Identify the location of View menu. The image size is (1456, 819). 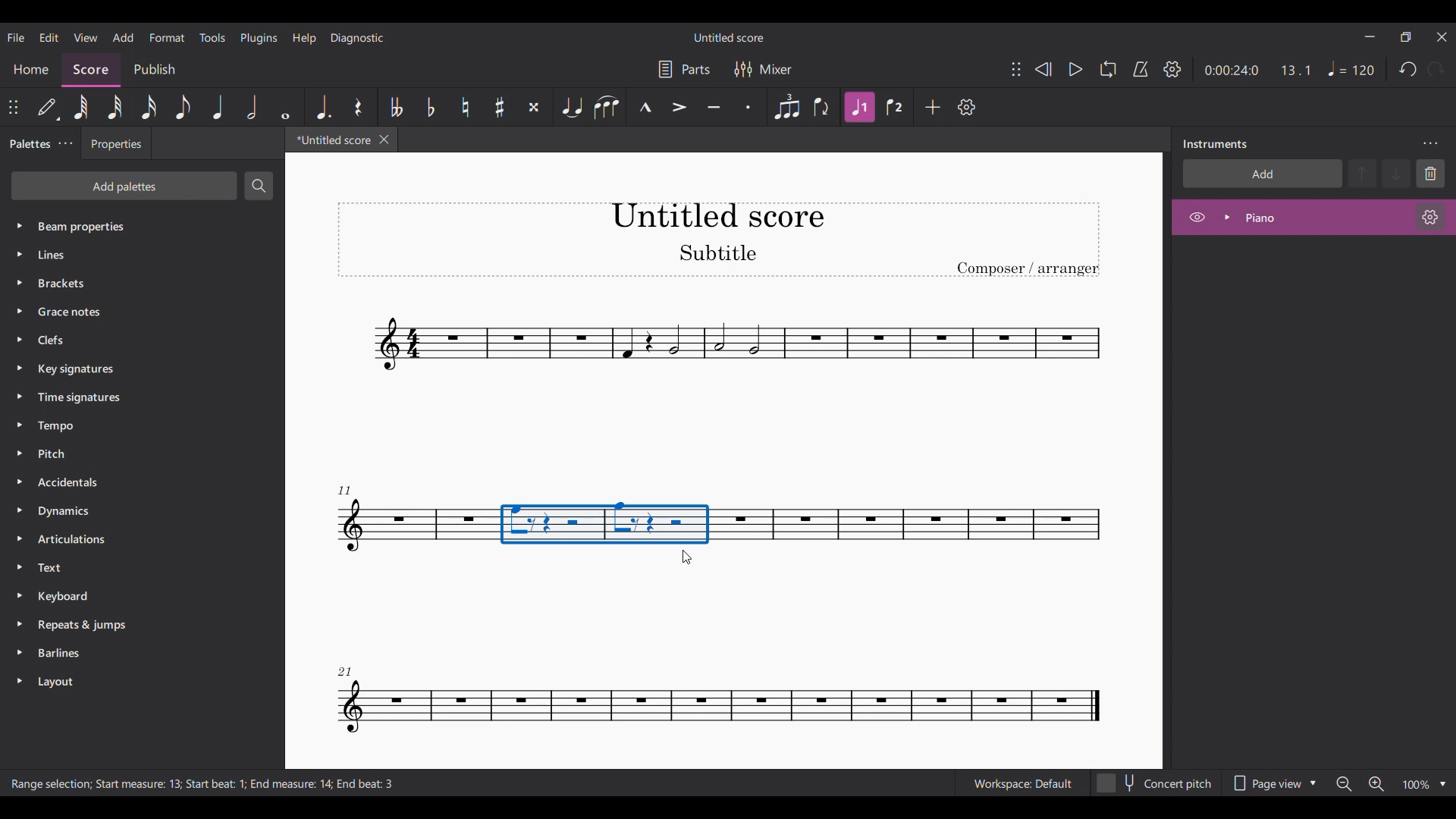
(85, 37).